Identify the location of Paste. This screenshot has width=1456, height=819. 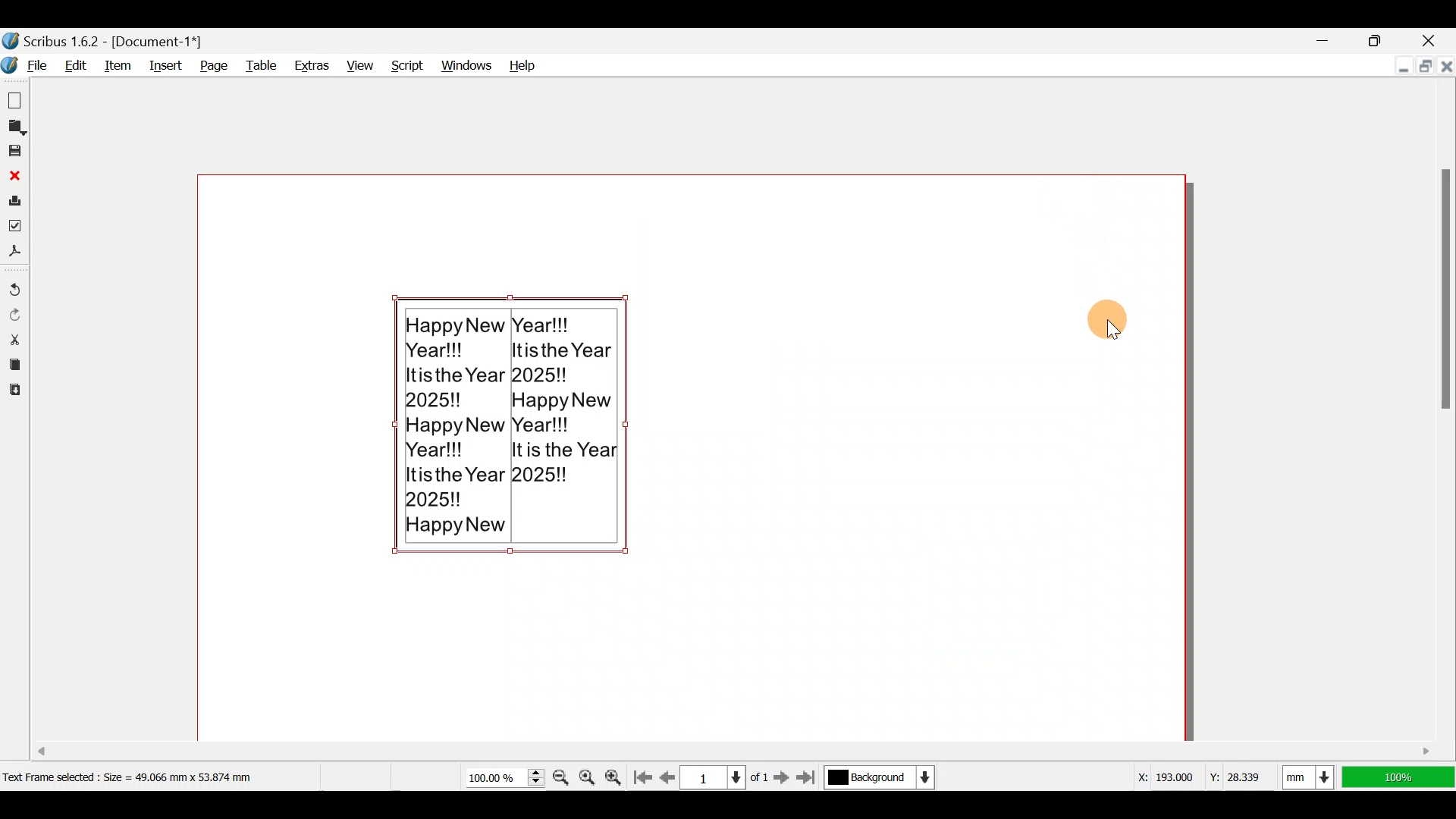
(14, 392).